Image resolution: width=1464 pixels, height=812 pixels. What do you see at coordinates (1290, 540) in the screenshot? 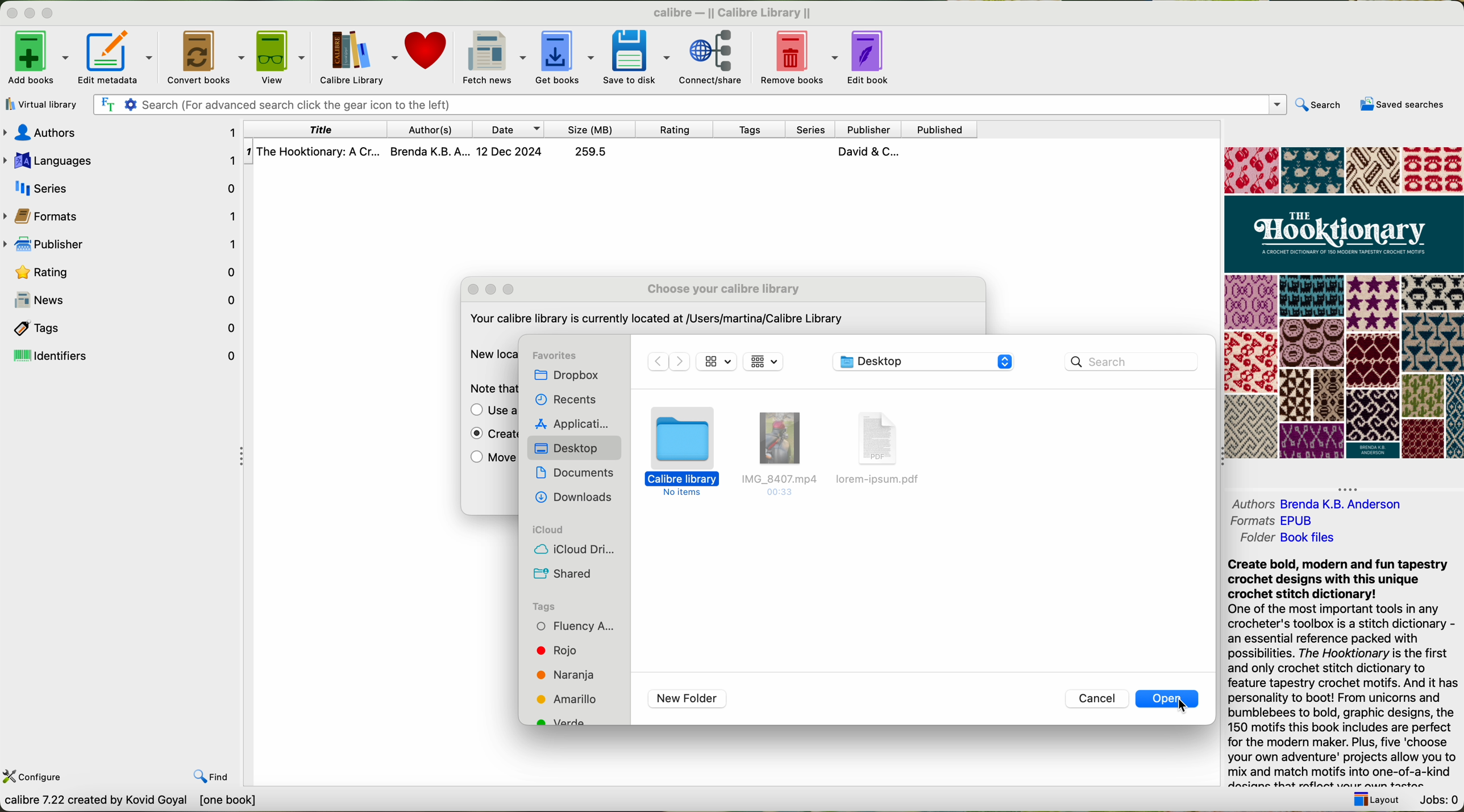
I see `folder Book files` at bounding box center [1290, 540].